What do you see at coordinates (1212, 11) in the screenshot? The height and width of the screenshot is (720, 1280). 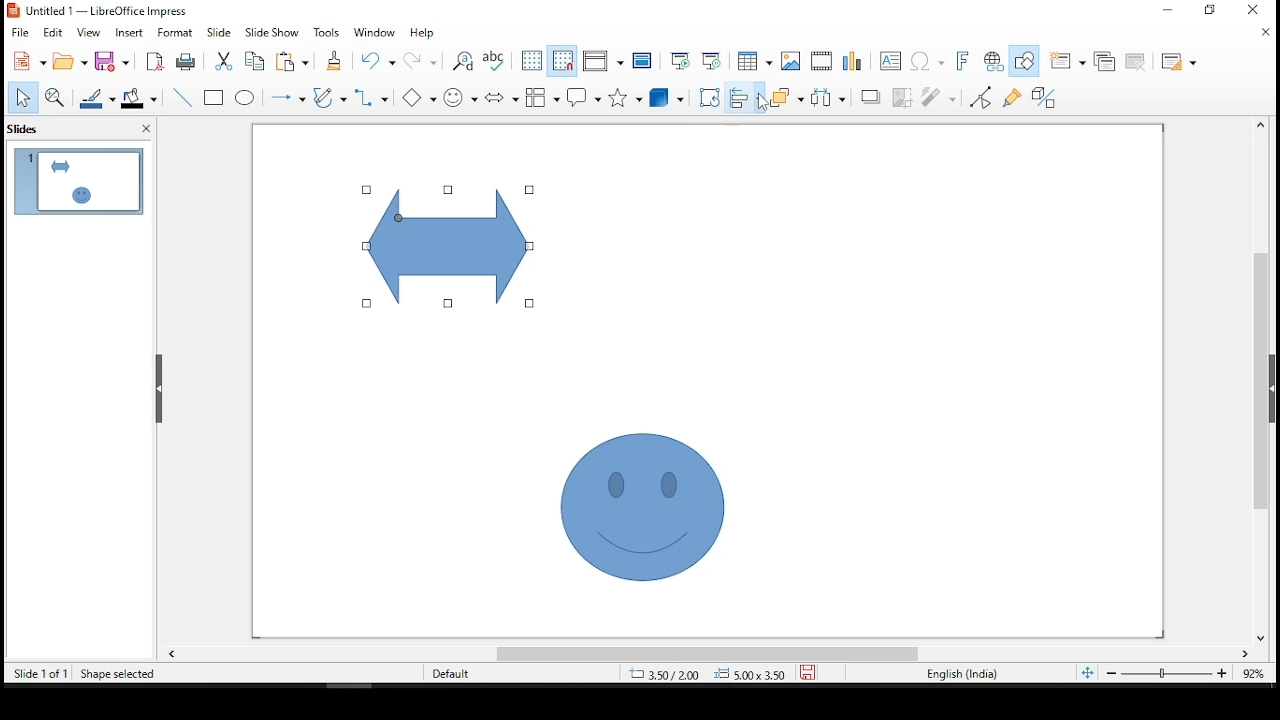 I see `minimize` at bounding box center [1212, 11].